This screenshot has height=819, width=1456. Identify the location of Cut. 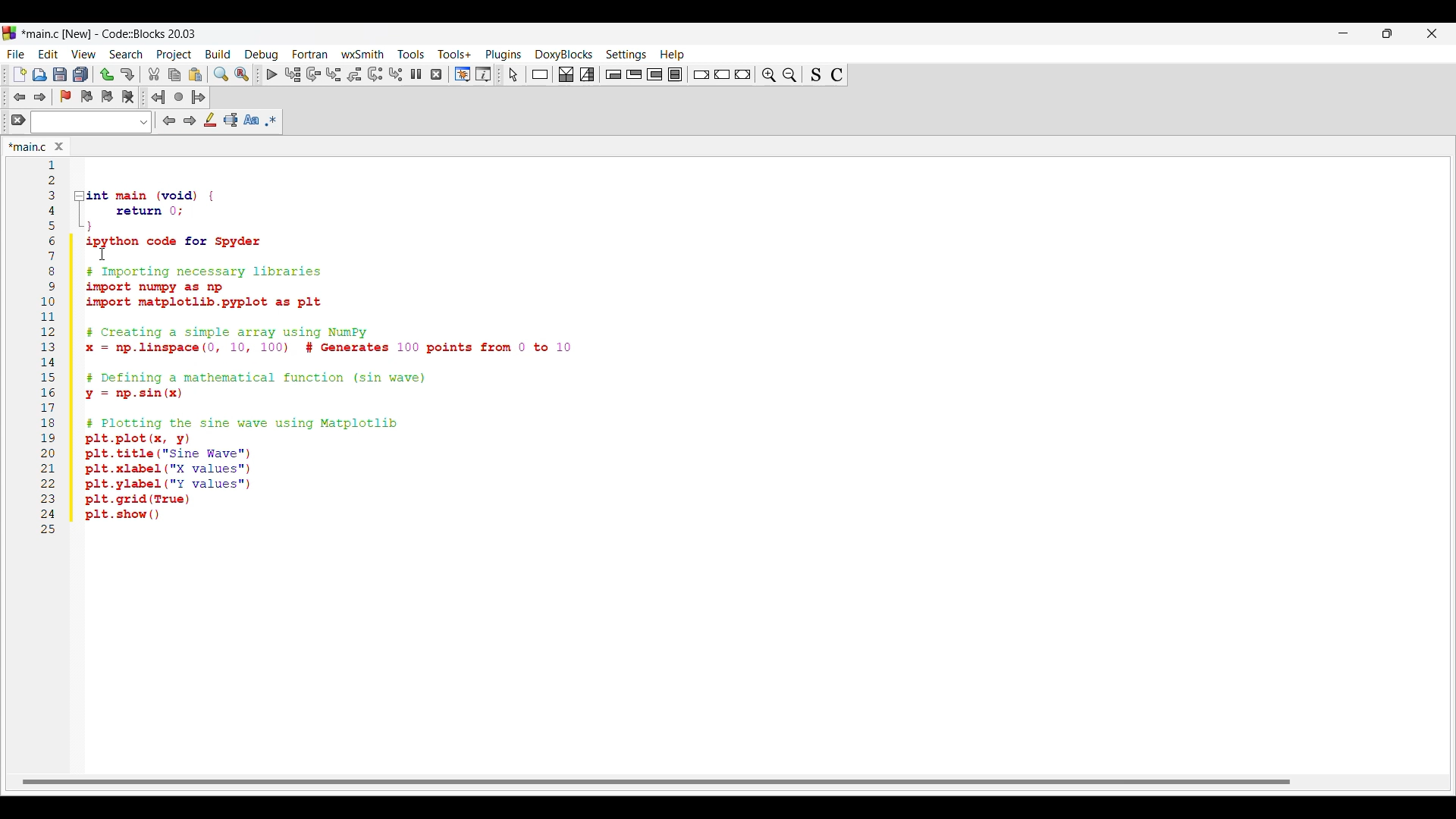
(154, 74).